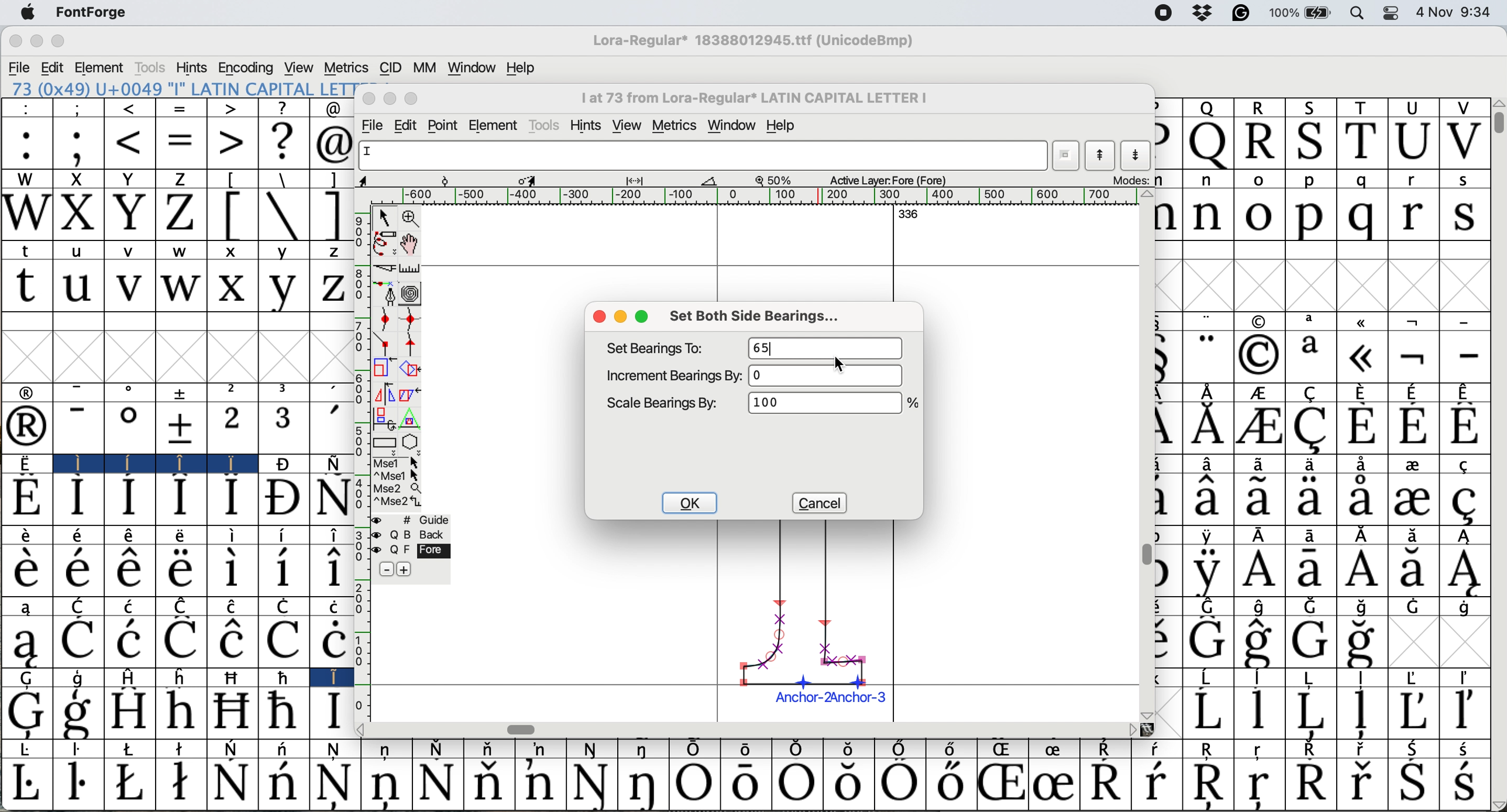  Describe the element at coordinates (1261, 214) in the screenshot. I see `o` at that location.